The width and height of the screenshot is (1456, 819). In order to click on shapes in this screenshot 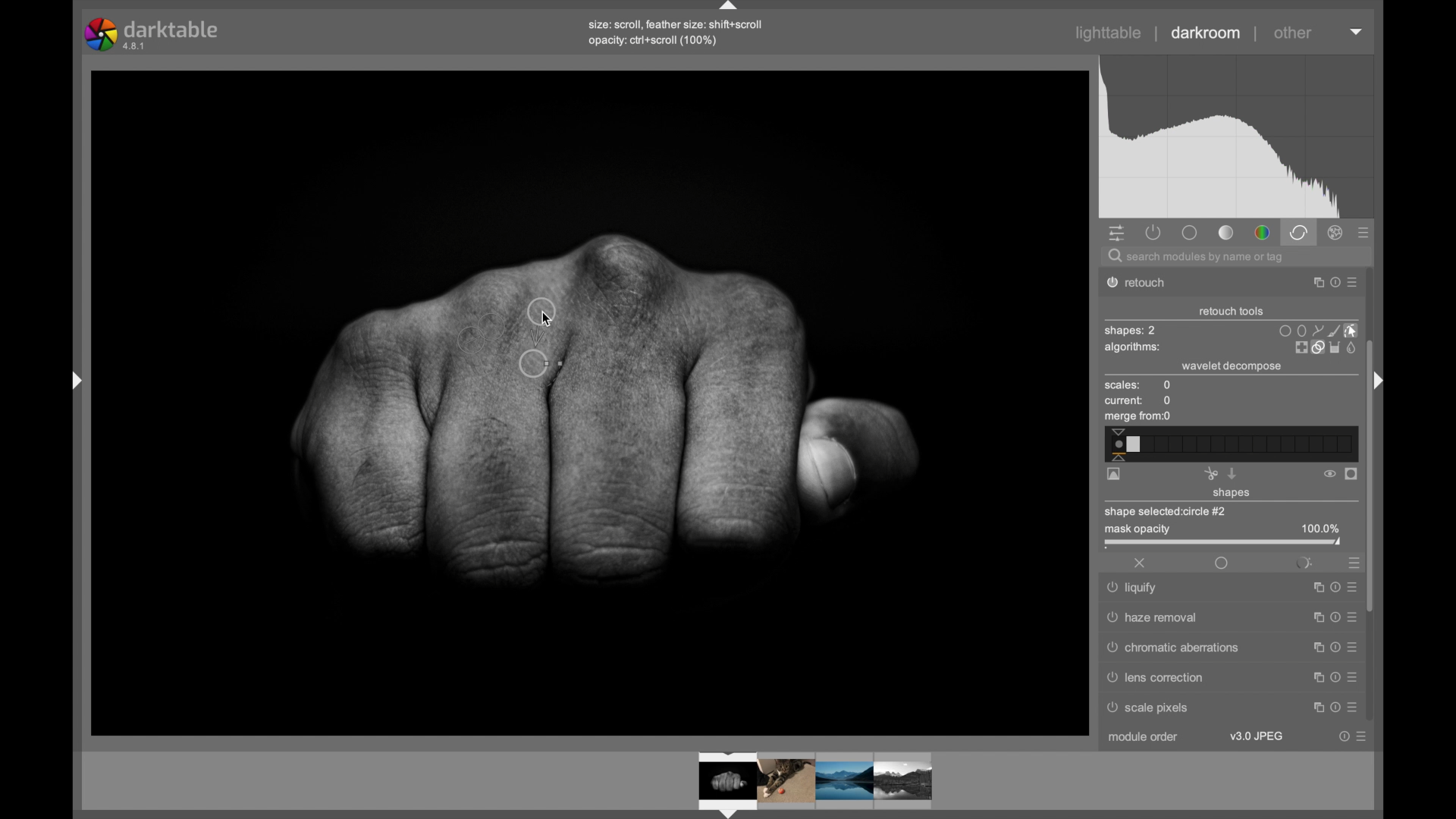, I will do `click(1232, 494)`.